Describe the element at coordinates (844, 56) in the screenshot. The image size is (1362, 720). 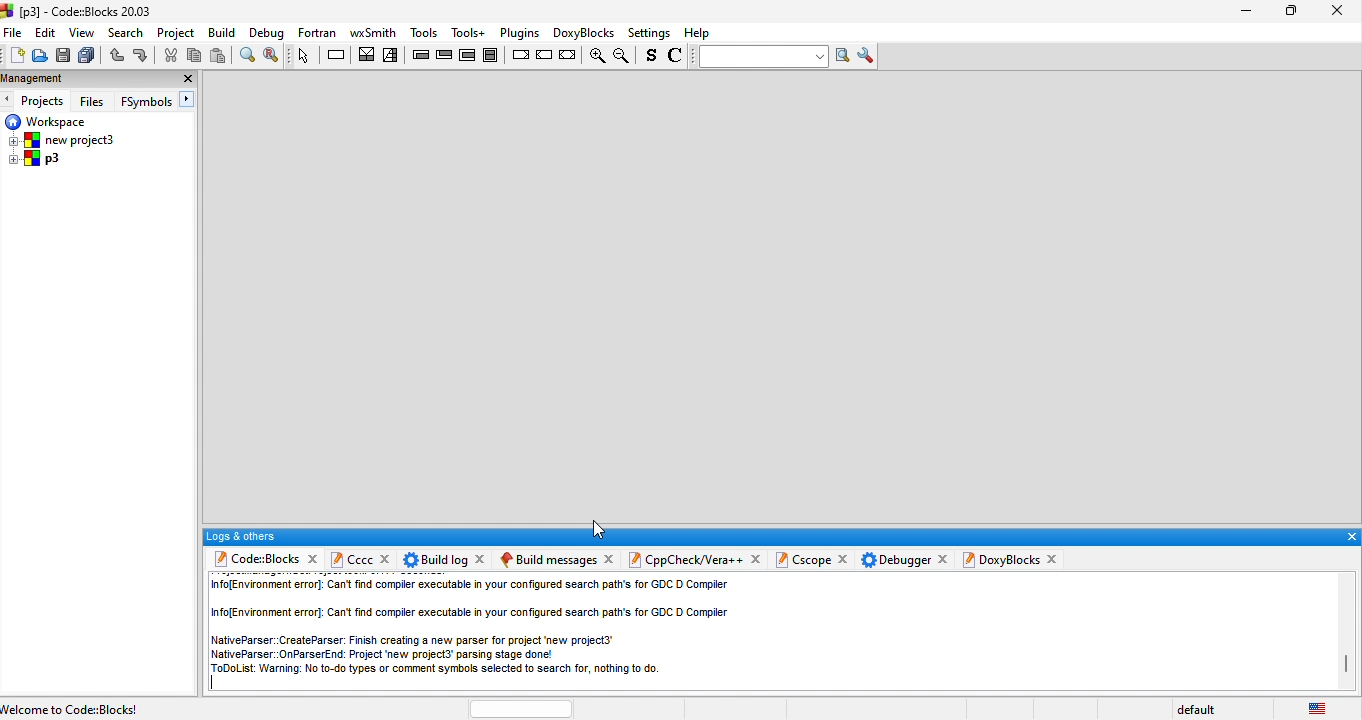
I see `run search` at that location.